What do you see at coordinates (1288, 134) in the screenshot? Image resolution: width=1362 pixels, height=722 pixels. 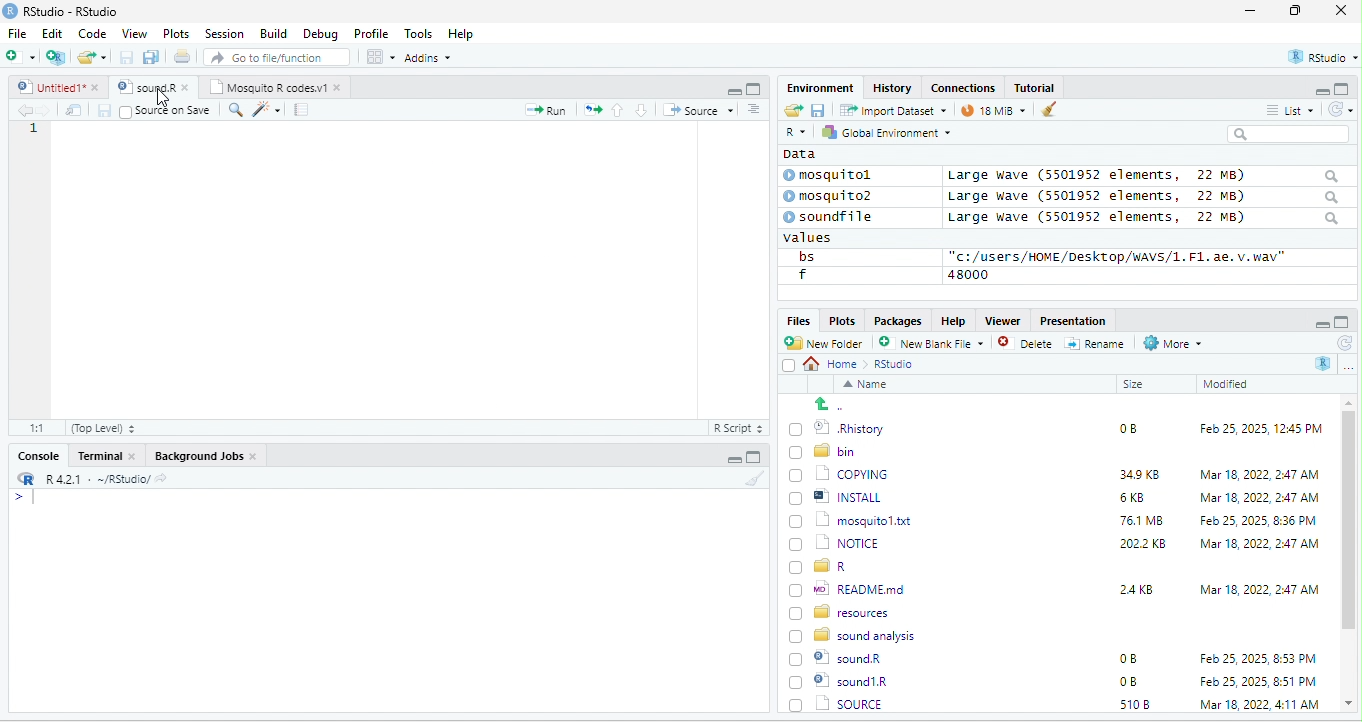 I see `search` at bounding box center [1288, 134].